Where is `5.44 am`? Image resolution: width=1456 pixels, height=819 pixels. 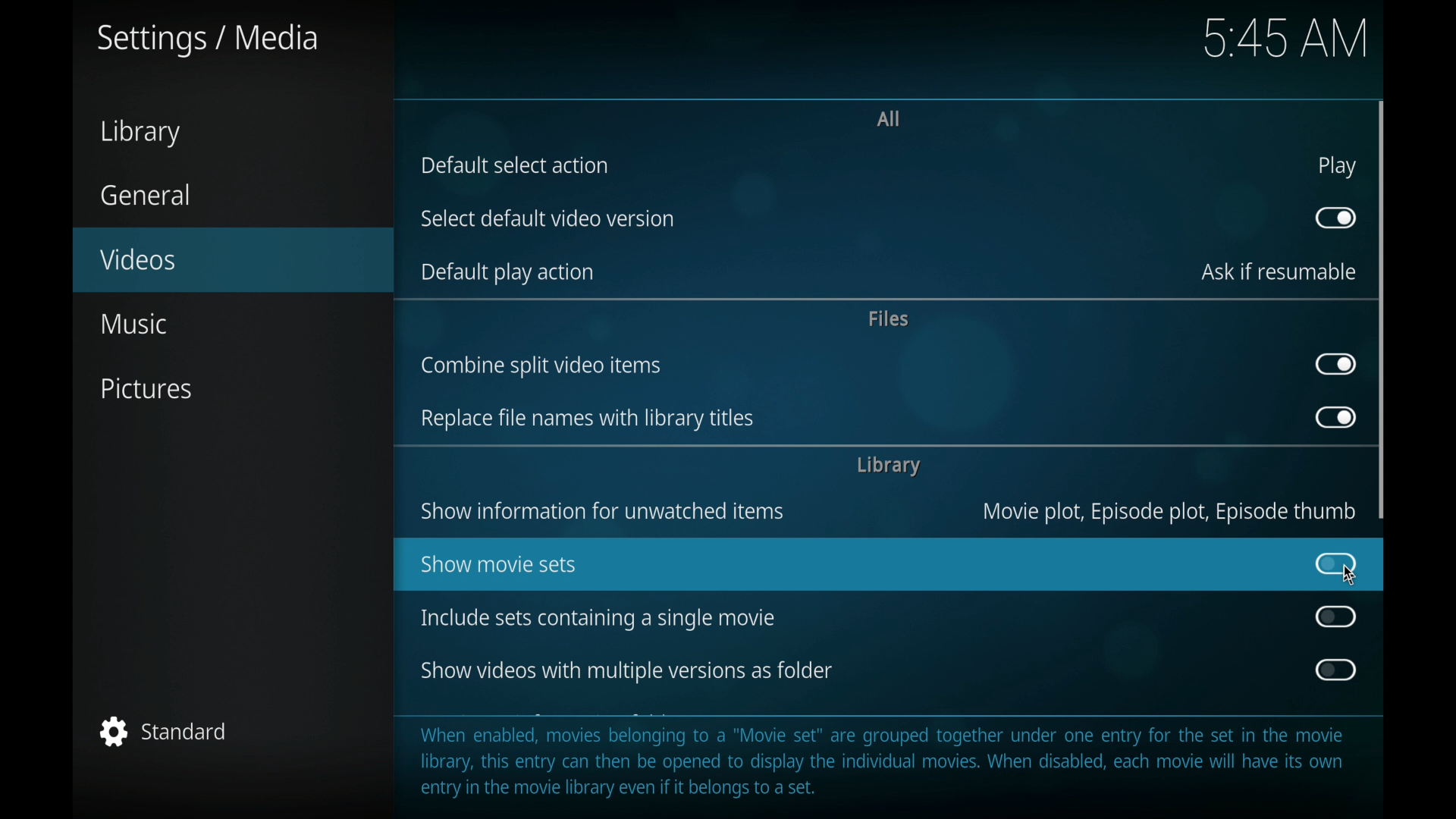
5.44 am is located at coordinates (1289, 40).